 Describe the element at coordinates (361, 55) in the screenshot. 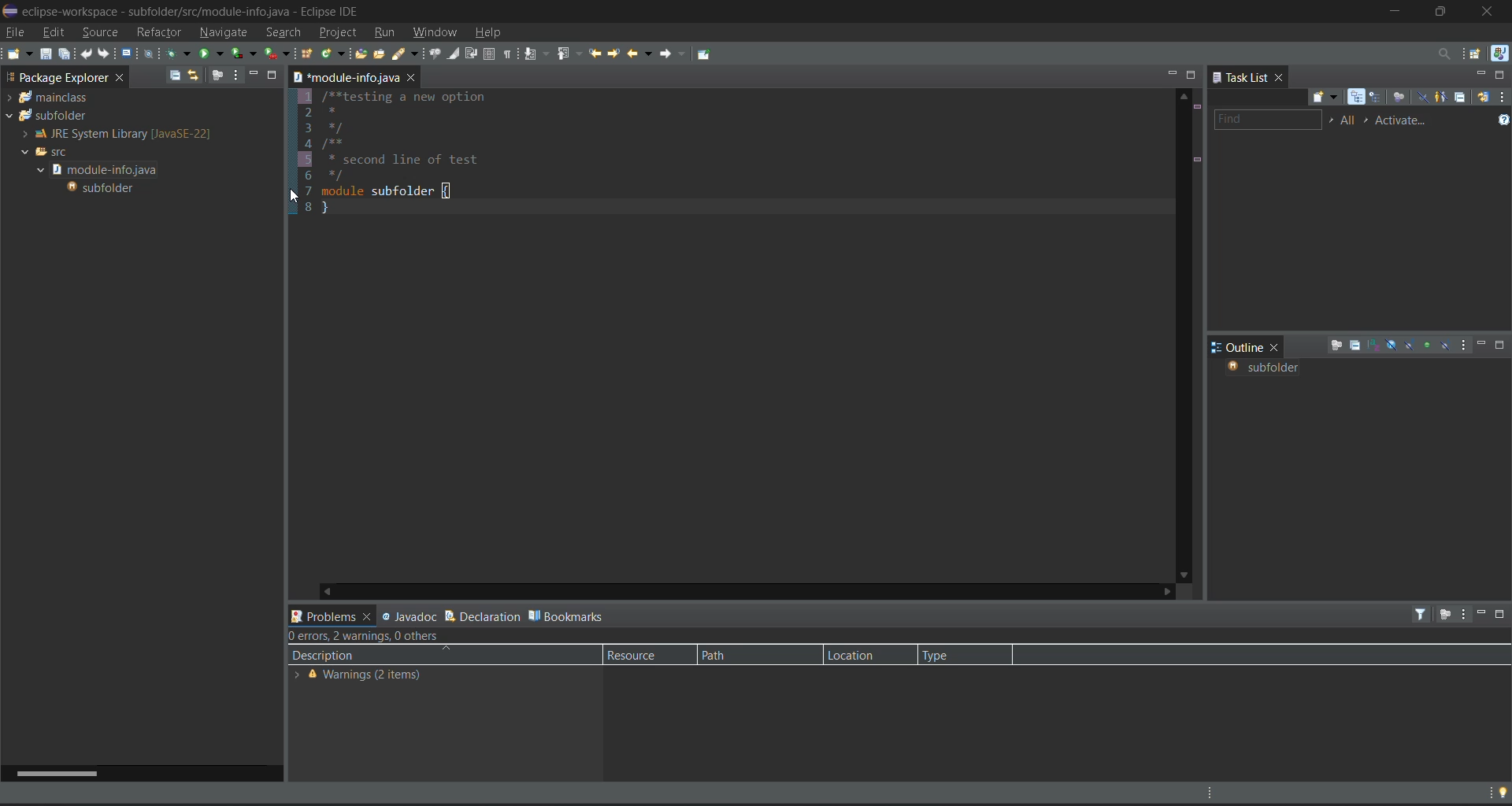

I see `open type` at that location.